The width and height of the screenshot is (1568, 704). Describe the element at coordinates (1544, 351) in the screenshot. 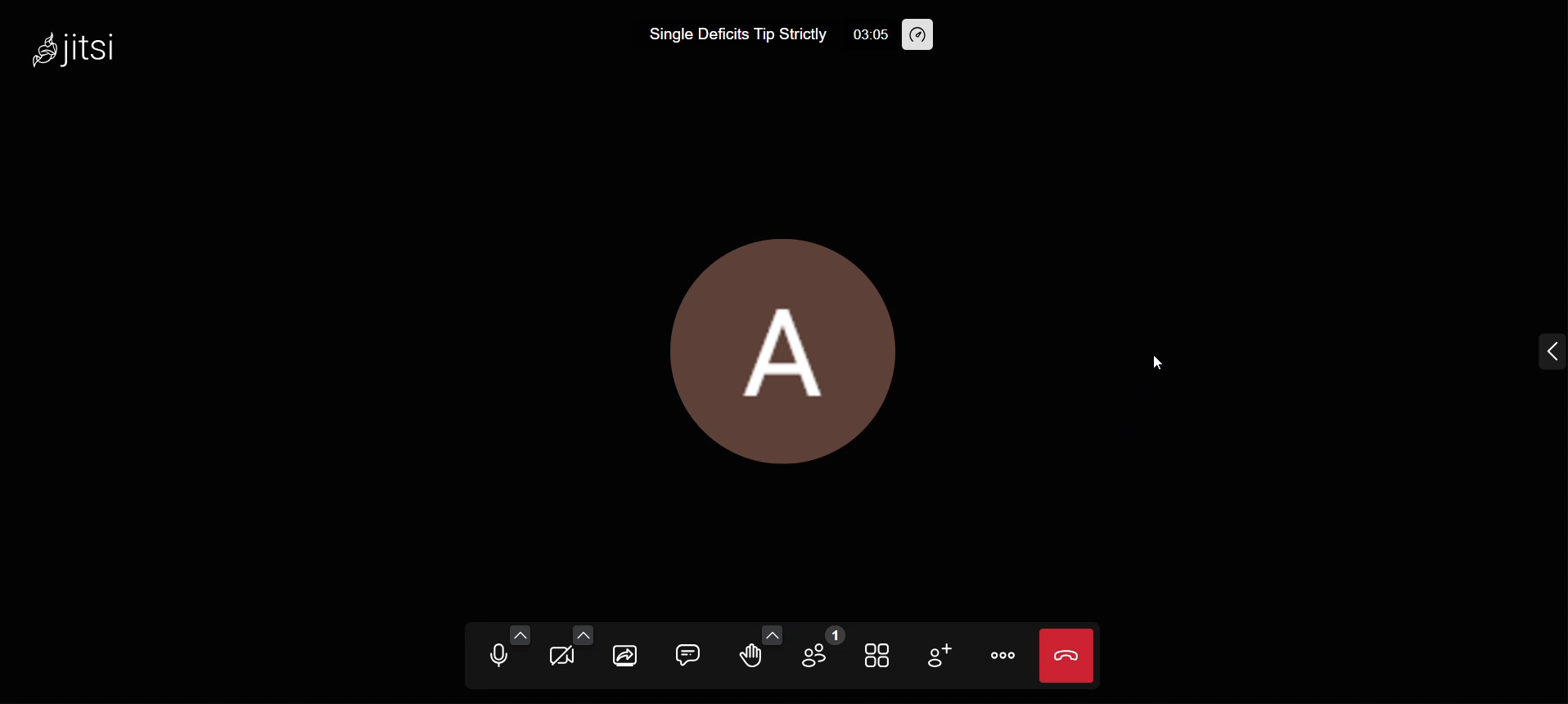

I see `expand` at that location.